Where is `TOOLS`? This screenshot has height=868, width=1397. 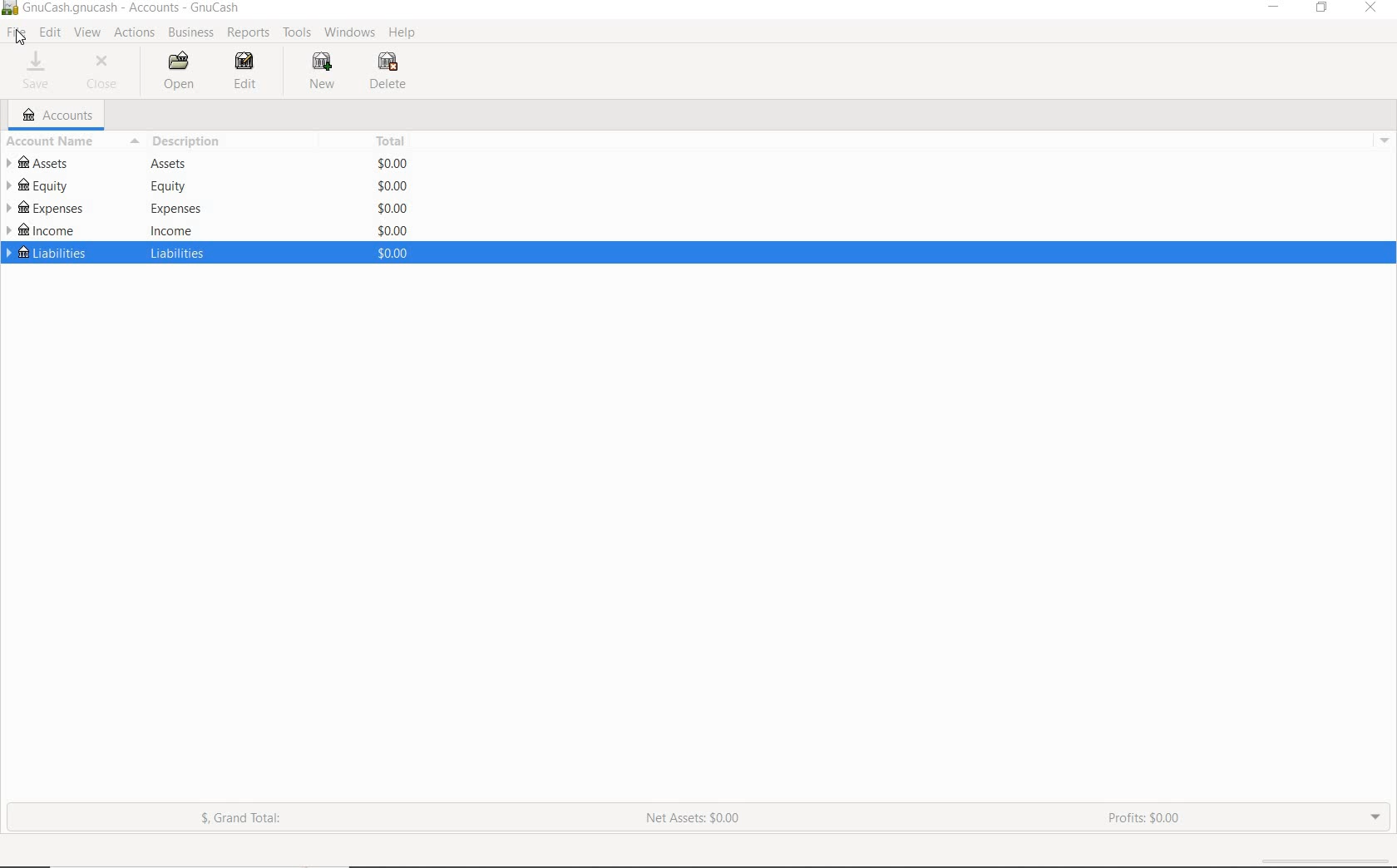 TOOLS is located at coordinates (298, 33).